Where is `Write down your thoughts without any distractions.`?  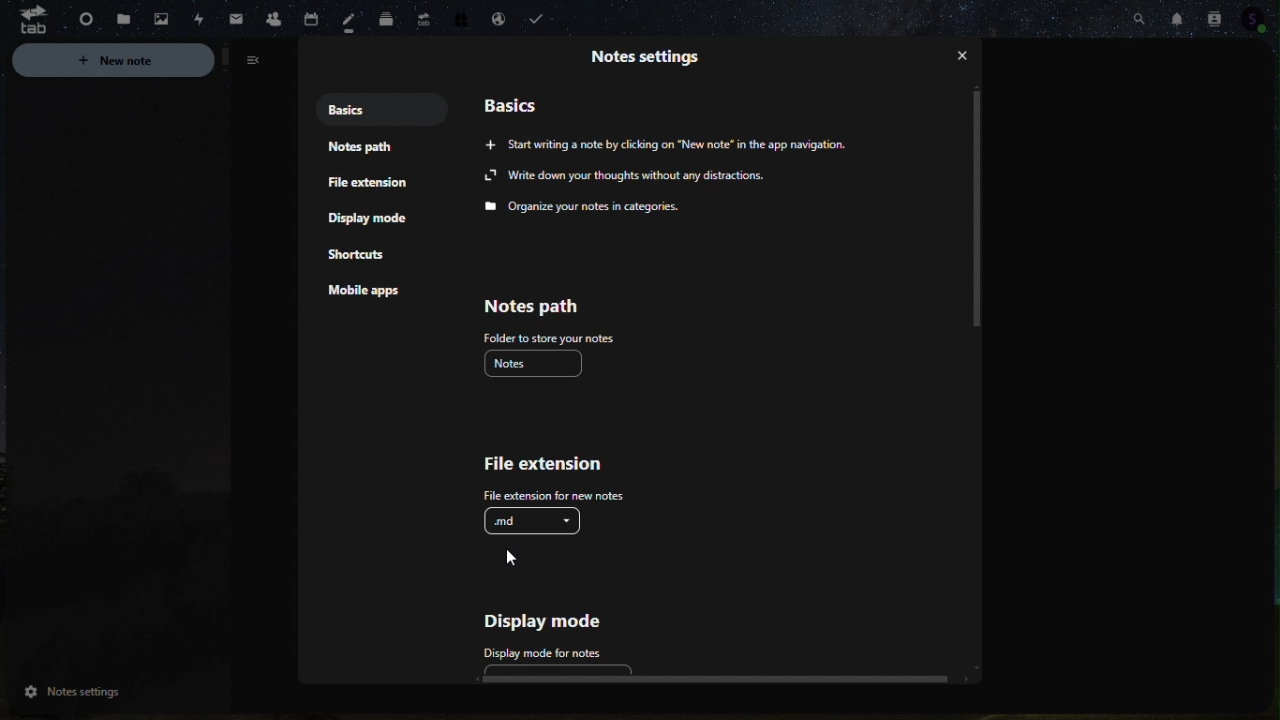 Write down your thoughts without any distractions. is located at coordinates (626, 176).